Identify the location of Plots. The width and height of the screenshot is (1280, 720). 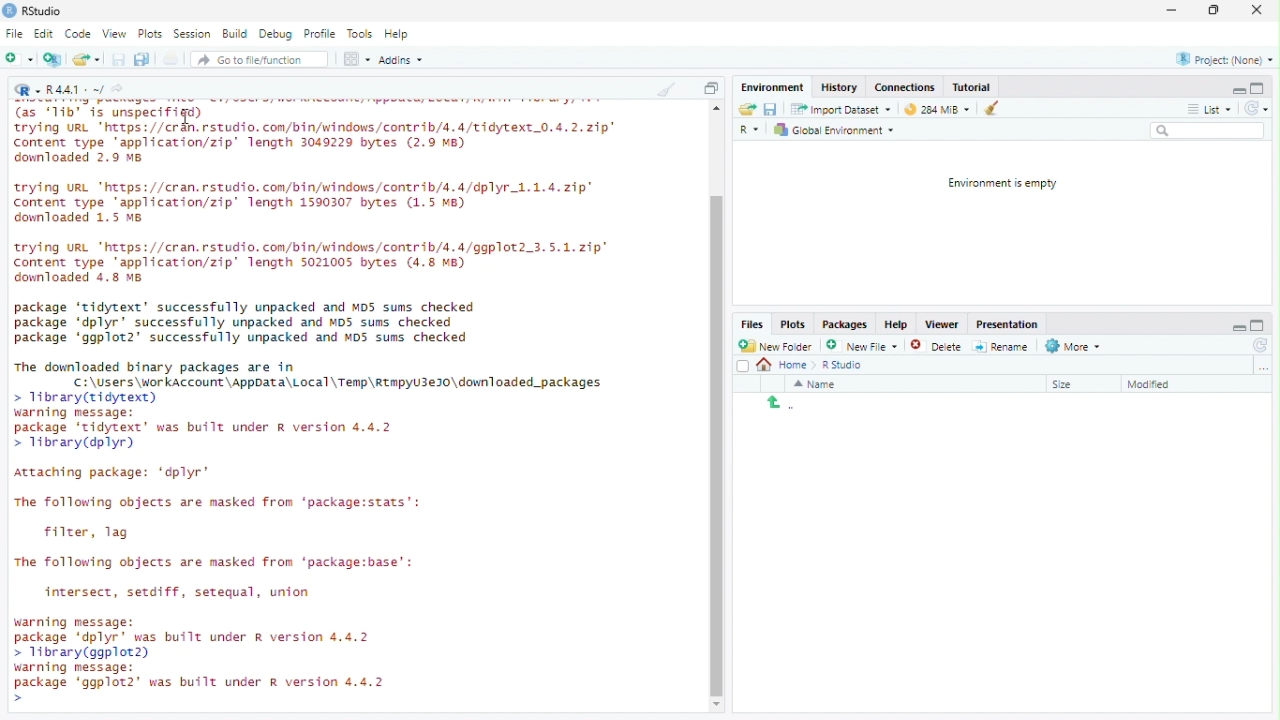
(794, 325).